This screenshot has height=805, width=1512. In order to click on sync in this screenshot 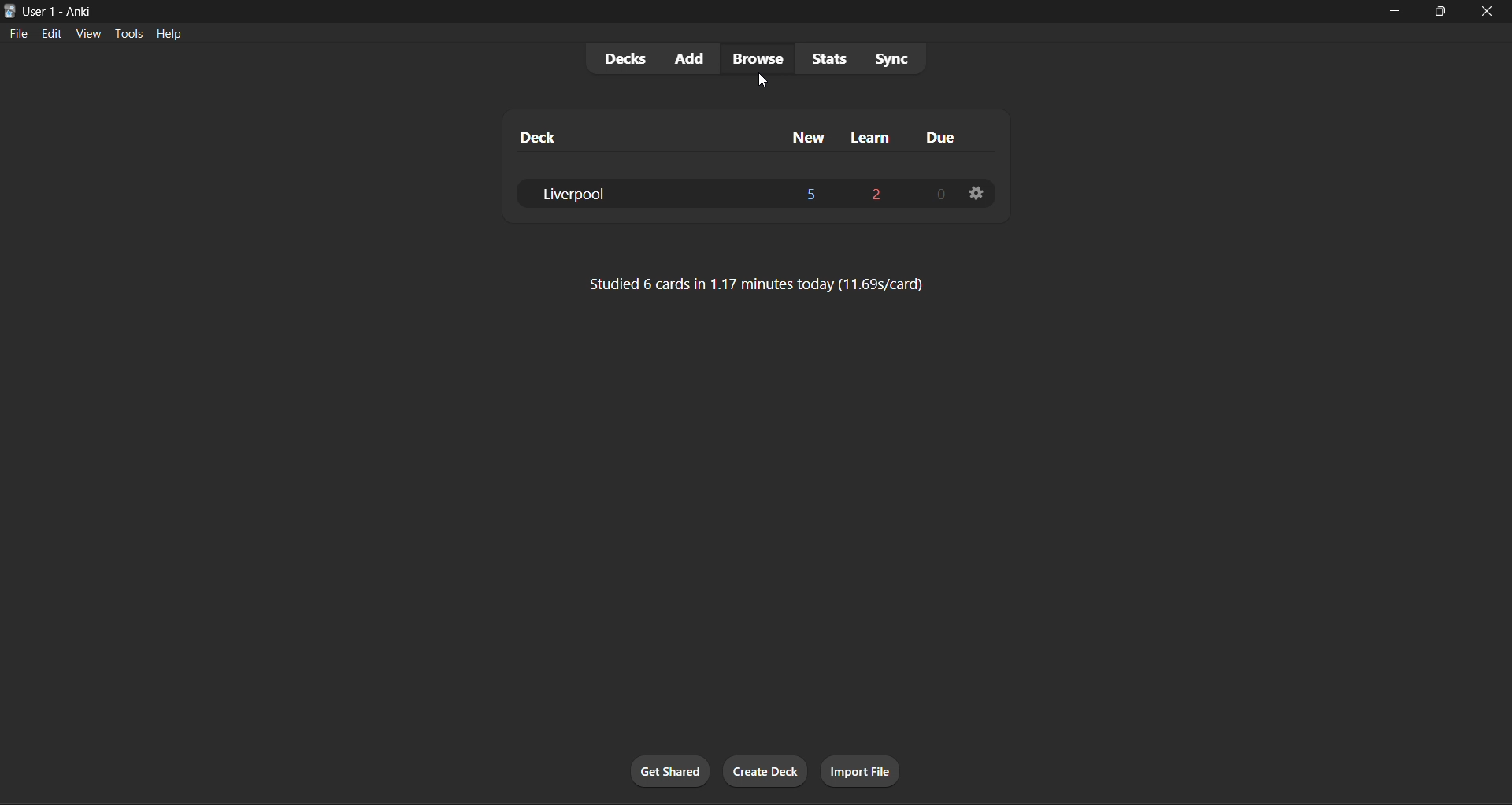, I will do `click(903, 57)`.